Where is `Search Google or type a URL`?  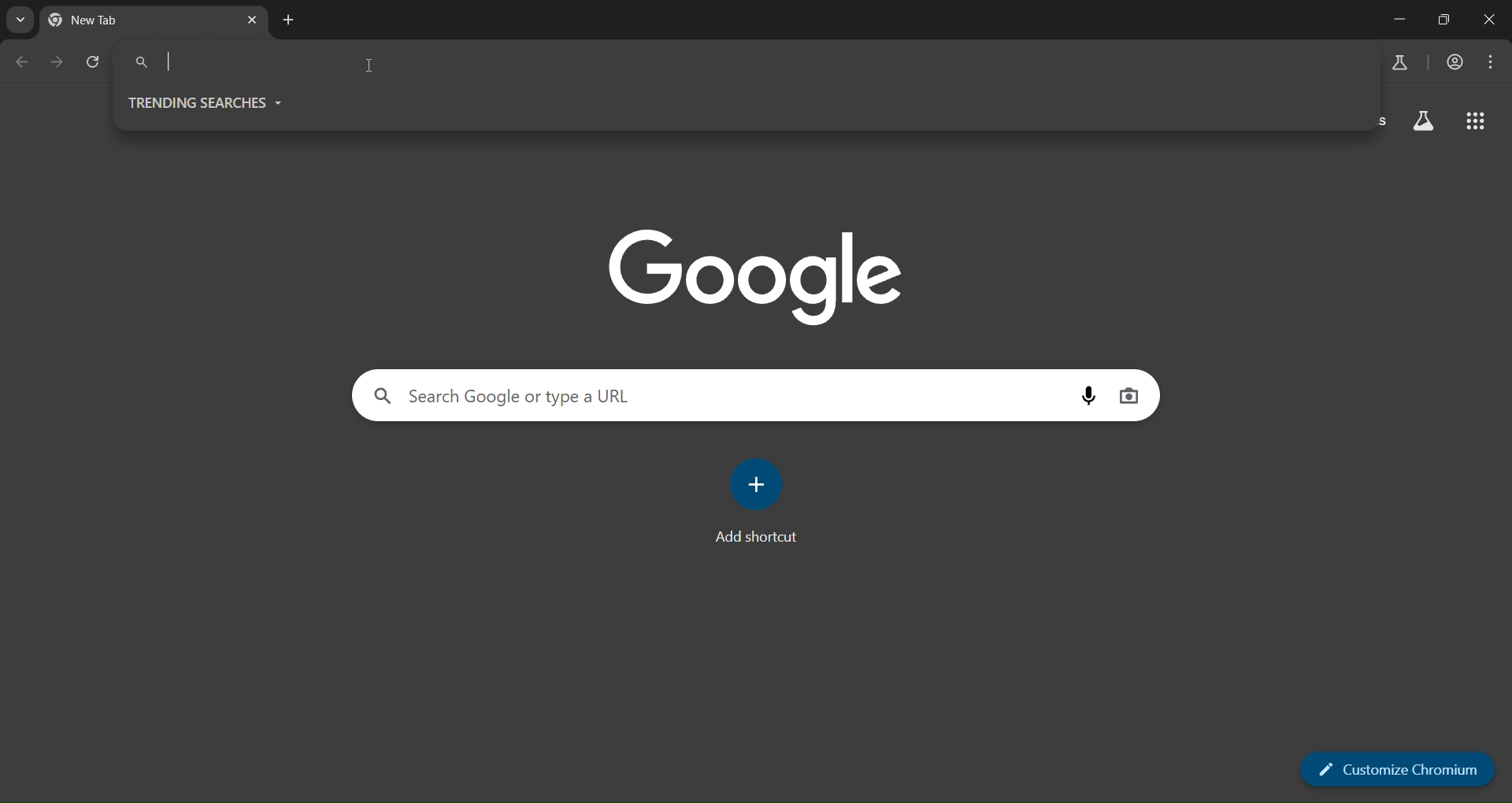
Search Google or type a URL is located at coordinates (651, 394).